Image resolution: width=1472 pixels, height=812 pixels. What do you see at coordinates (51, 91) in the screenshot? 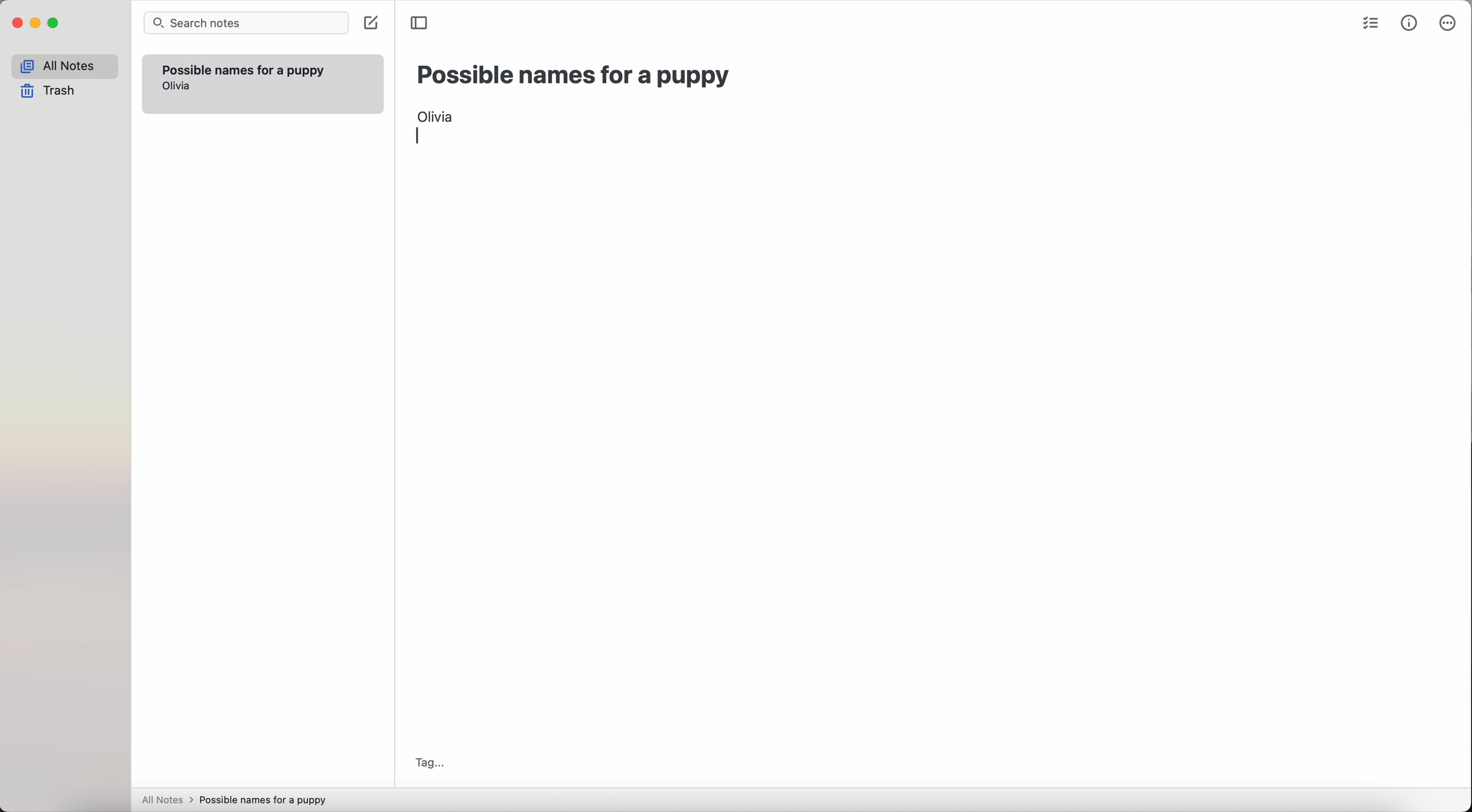
I see `trash` at bounding box center [51, 91].